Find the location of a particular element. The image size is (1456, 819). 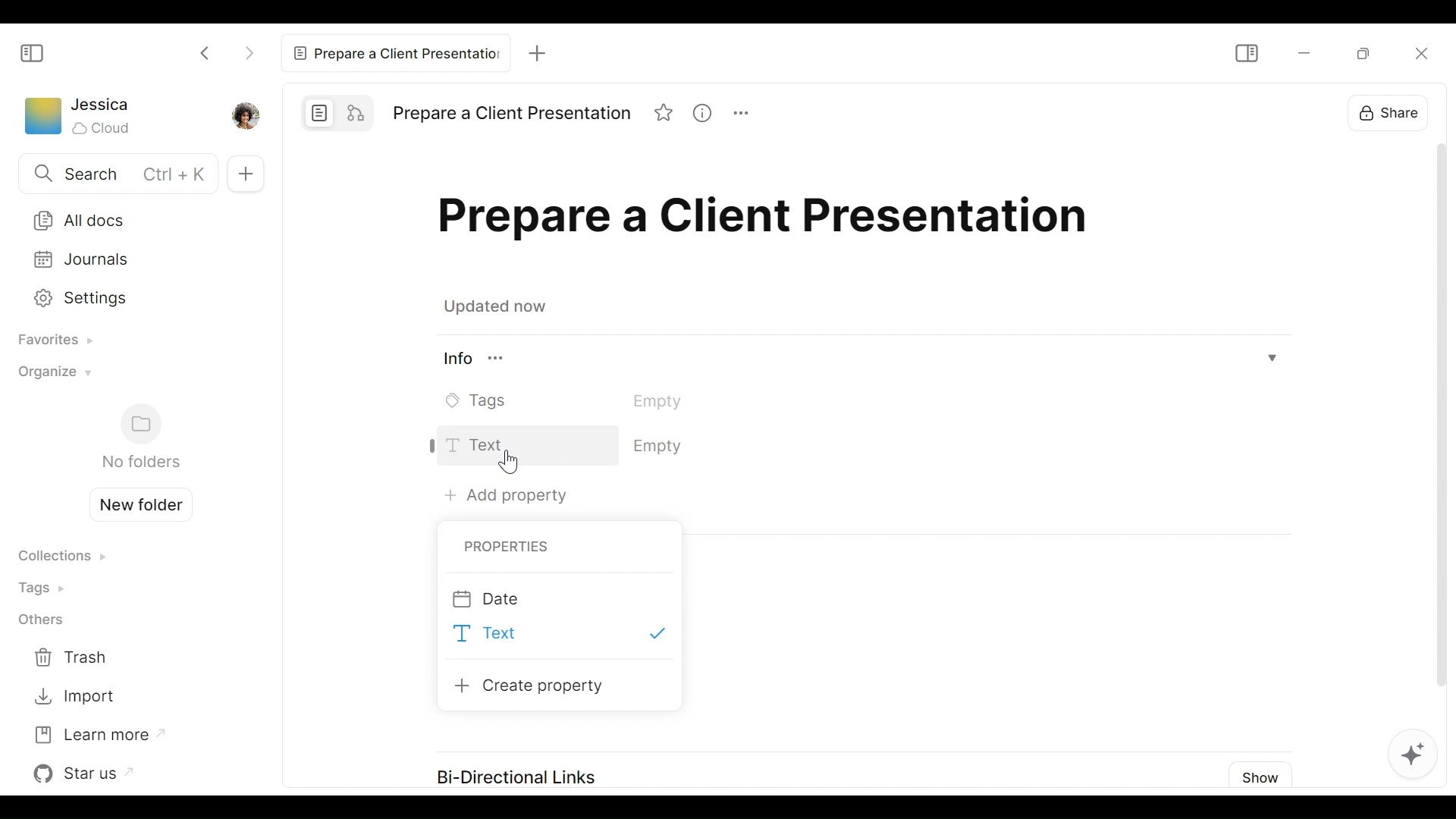

Edgeless mode is located at coordinates (358, 111).